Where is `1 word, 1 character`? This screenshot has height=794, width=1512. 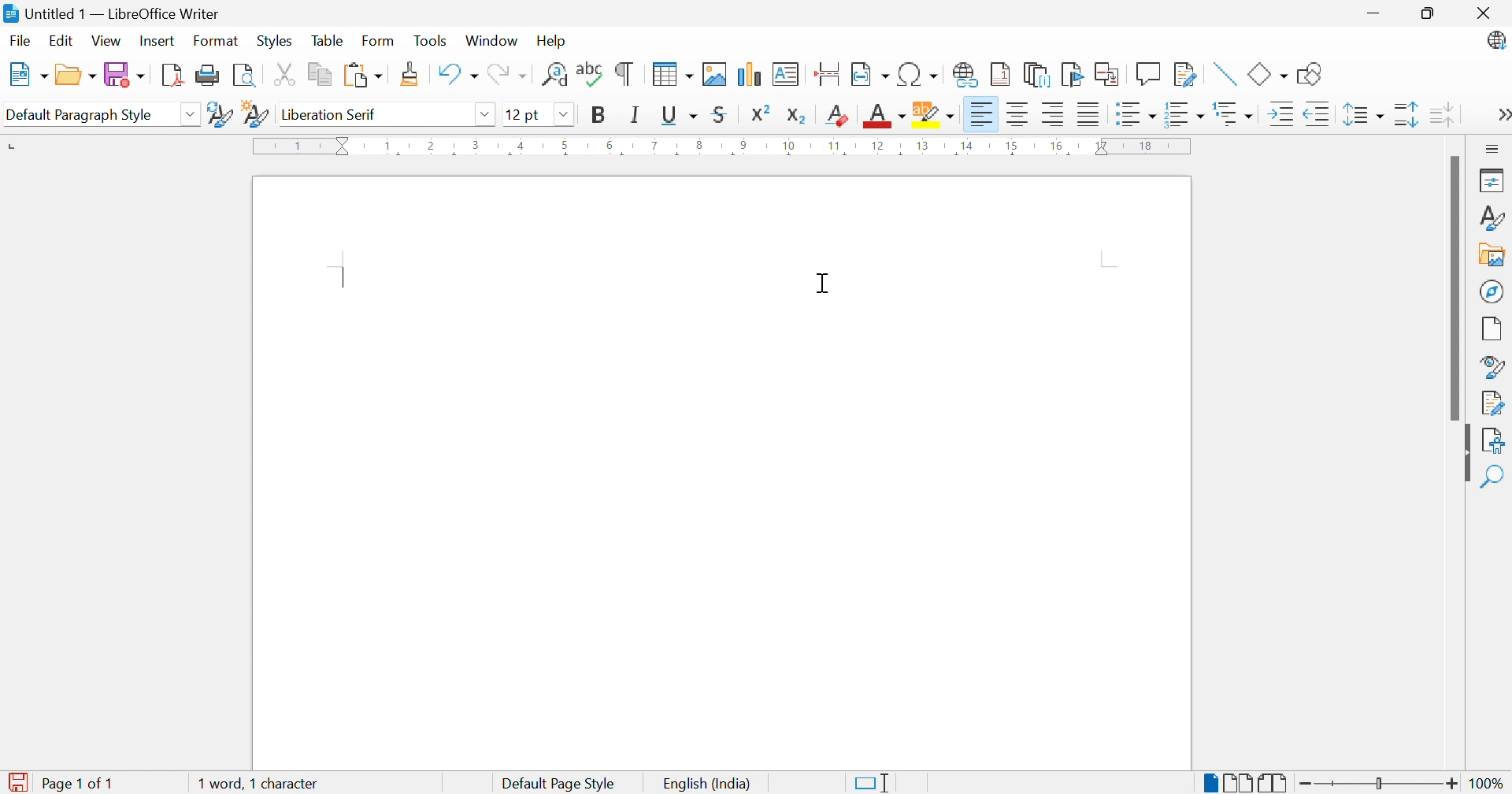 1 word, 1 character is located at coordinates (258, 783).